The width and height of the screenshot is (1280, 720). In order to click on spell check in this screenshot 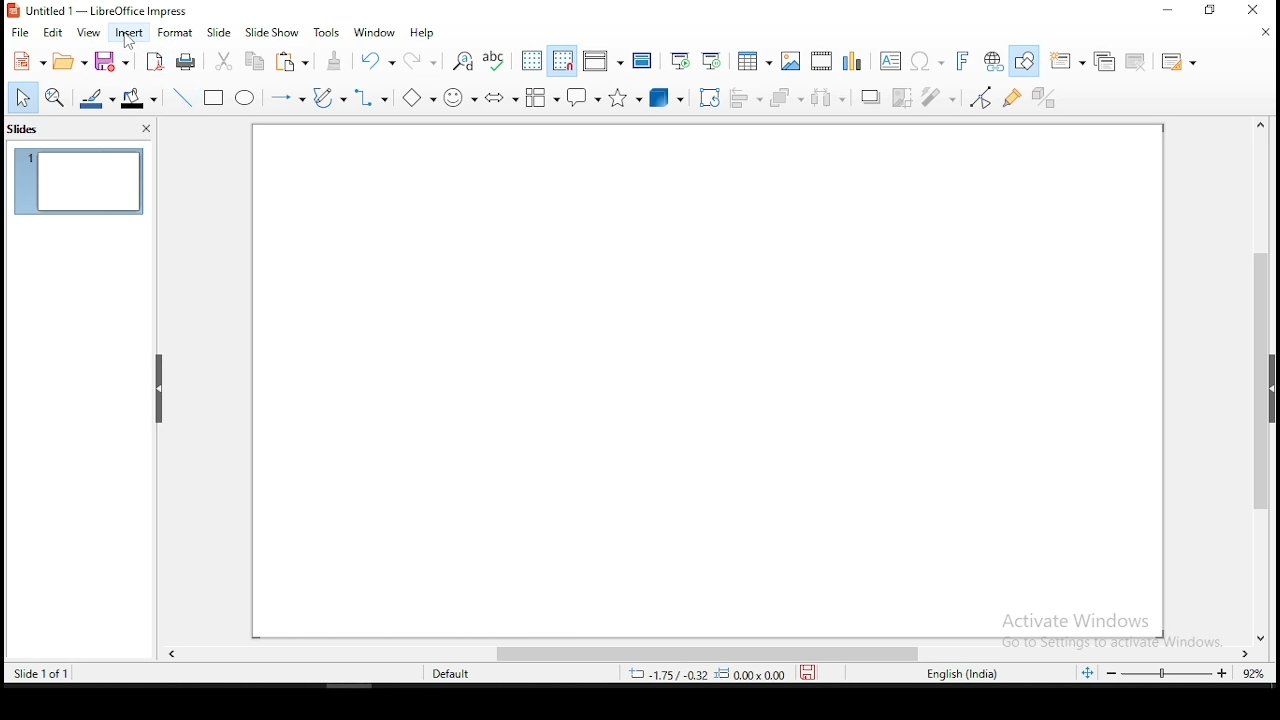, I will do `click(495, 58)`.